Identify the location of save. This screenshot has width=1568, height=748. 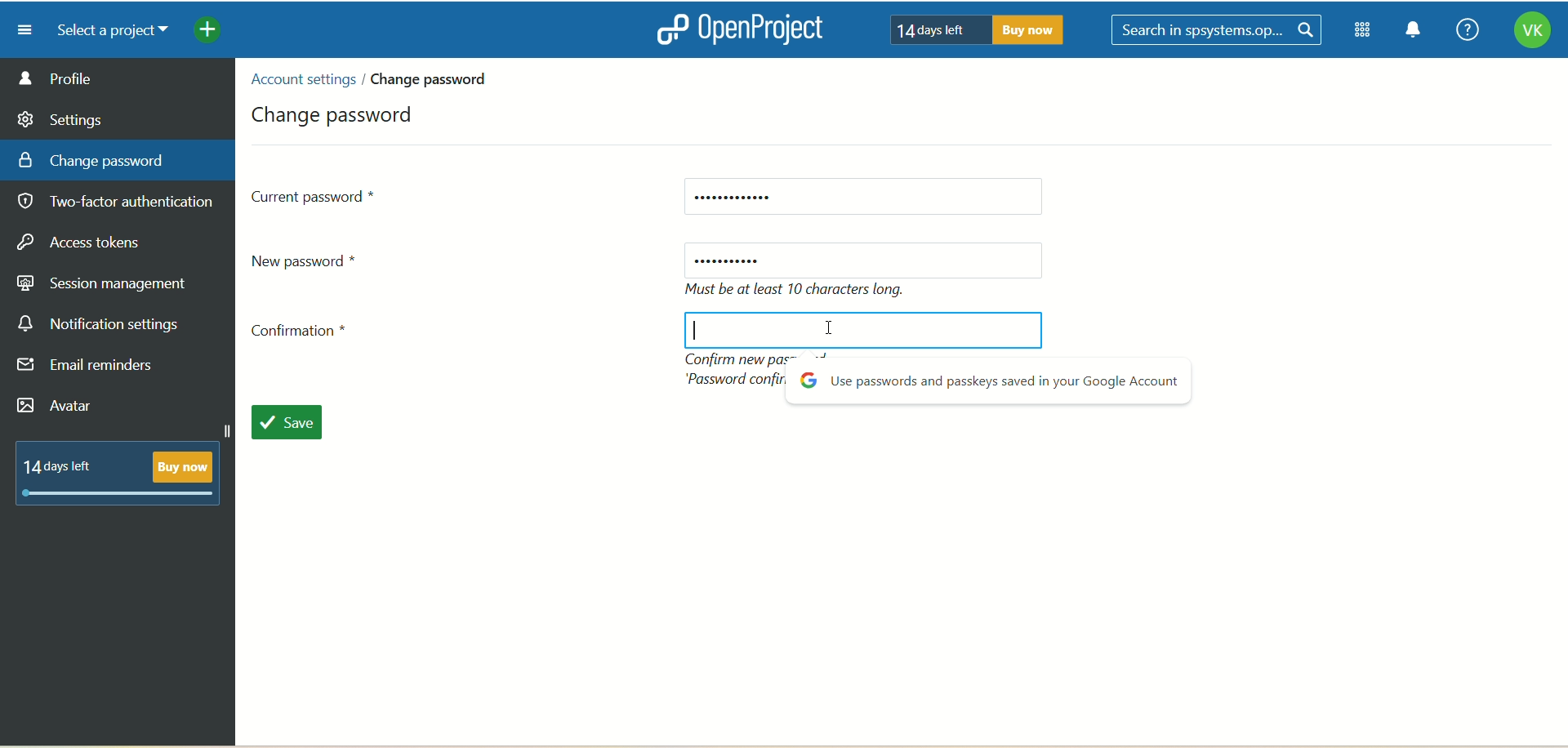
(296, 425).